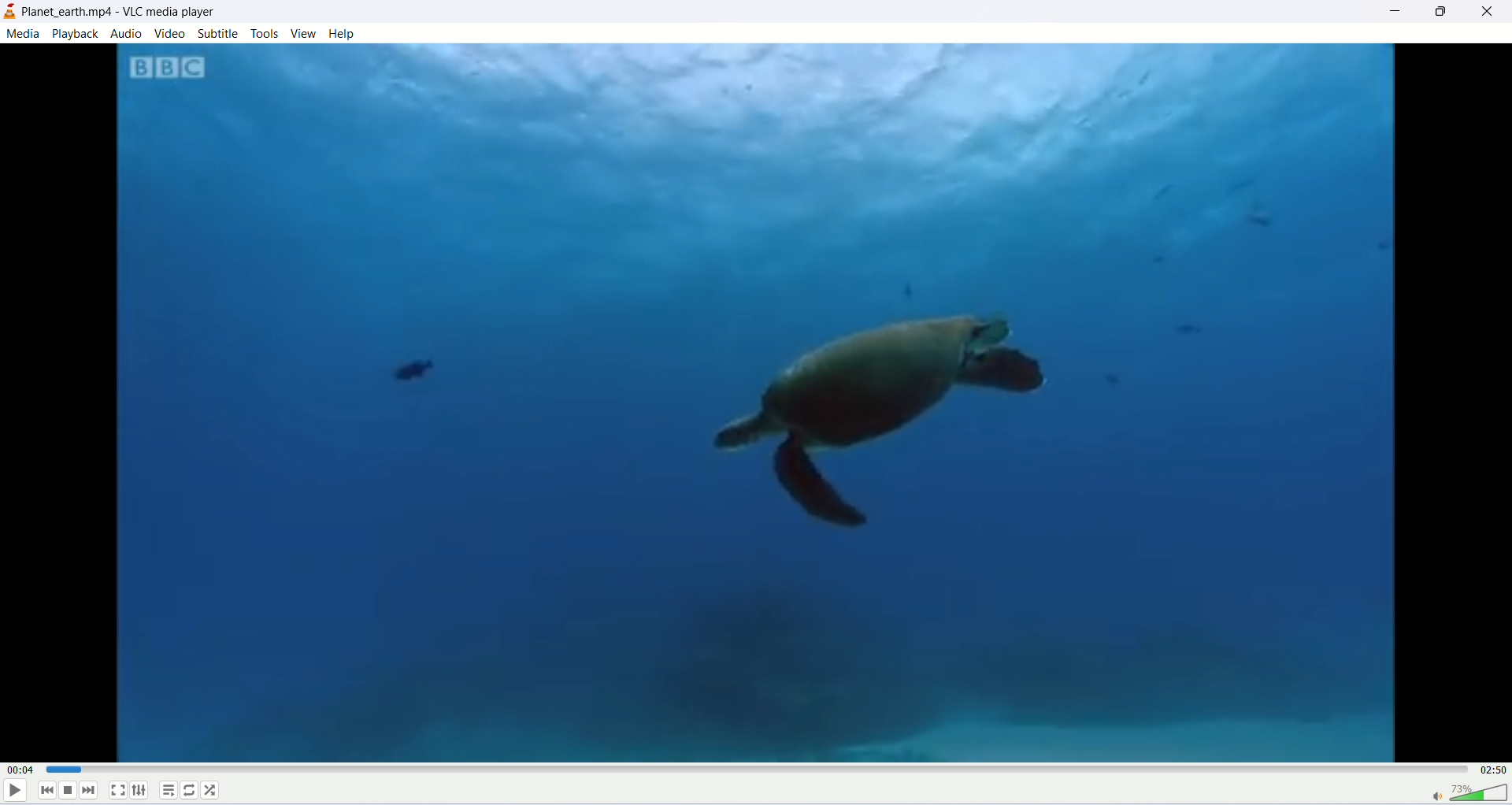  What do you see at coordinates (75, 32) in the screenshot?
I see `playback` at bounding box center [75, 32].